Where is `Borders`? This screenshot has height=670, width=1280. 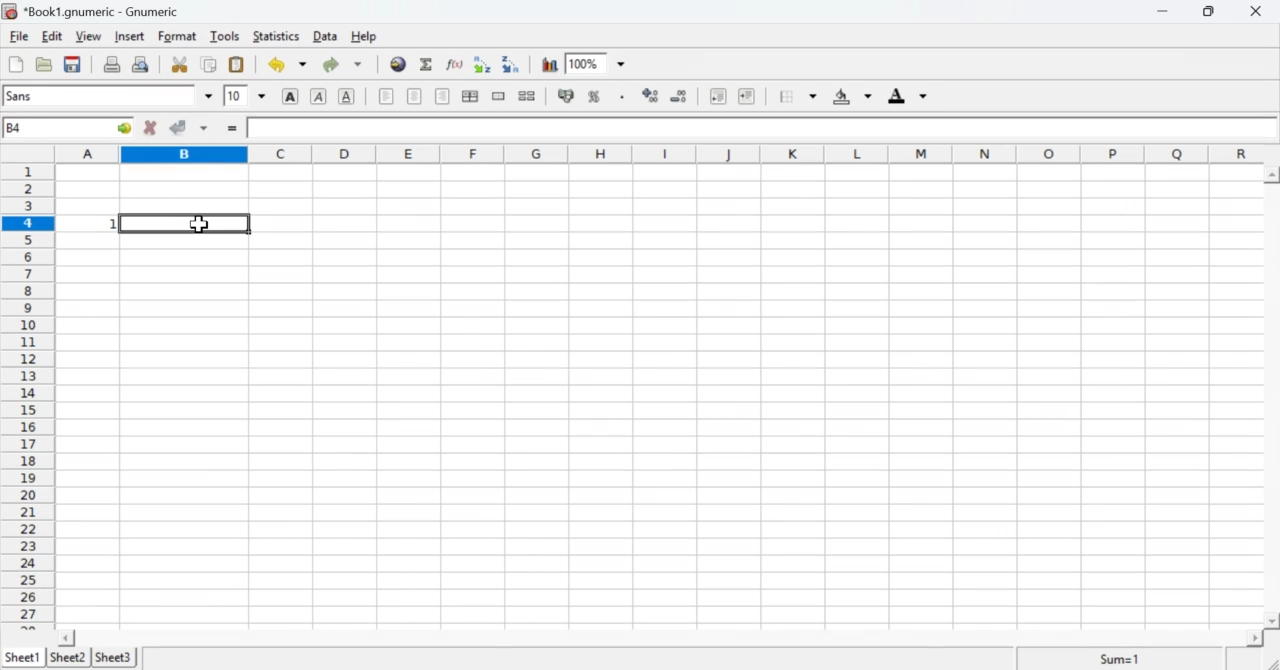 Borders is located at coordinates (797, 97).